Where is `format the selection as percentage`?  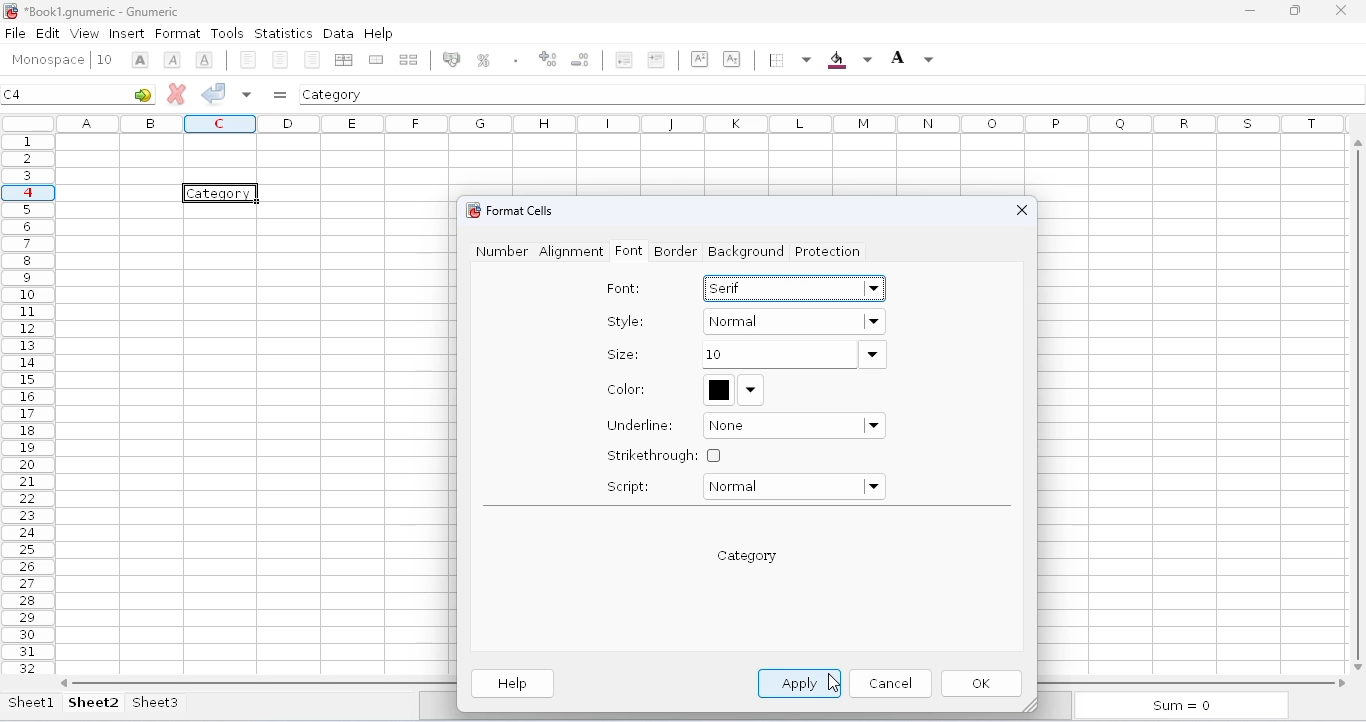
format the selection as percentage is located at coordinates (482, 60).